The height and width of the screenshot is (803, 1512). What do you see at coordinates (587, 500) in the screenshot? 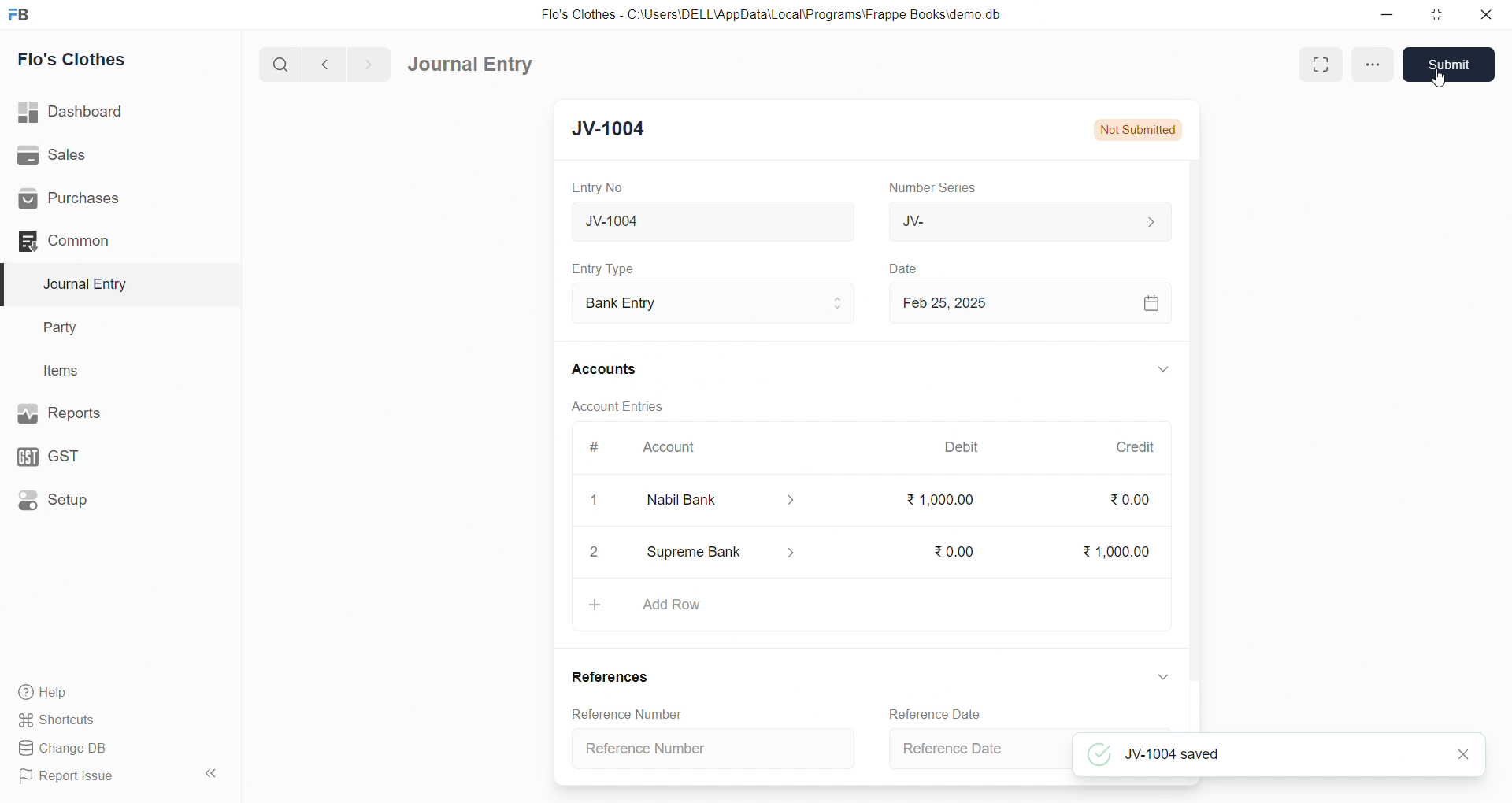
I see `1` at bounding box center [587, 500].